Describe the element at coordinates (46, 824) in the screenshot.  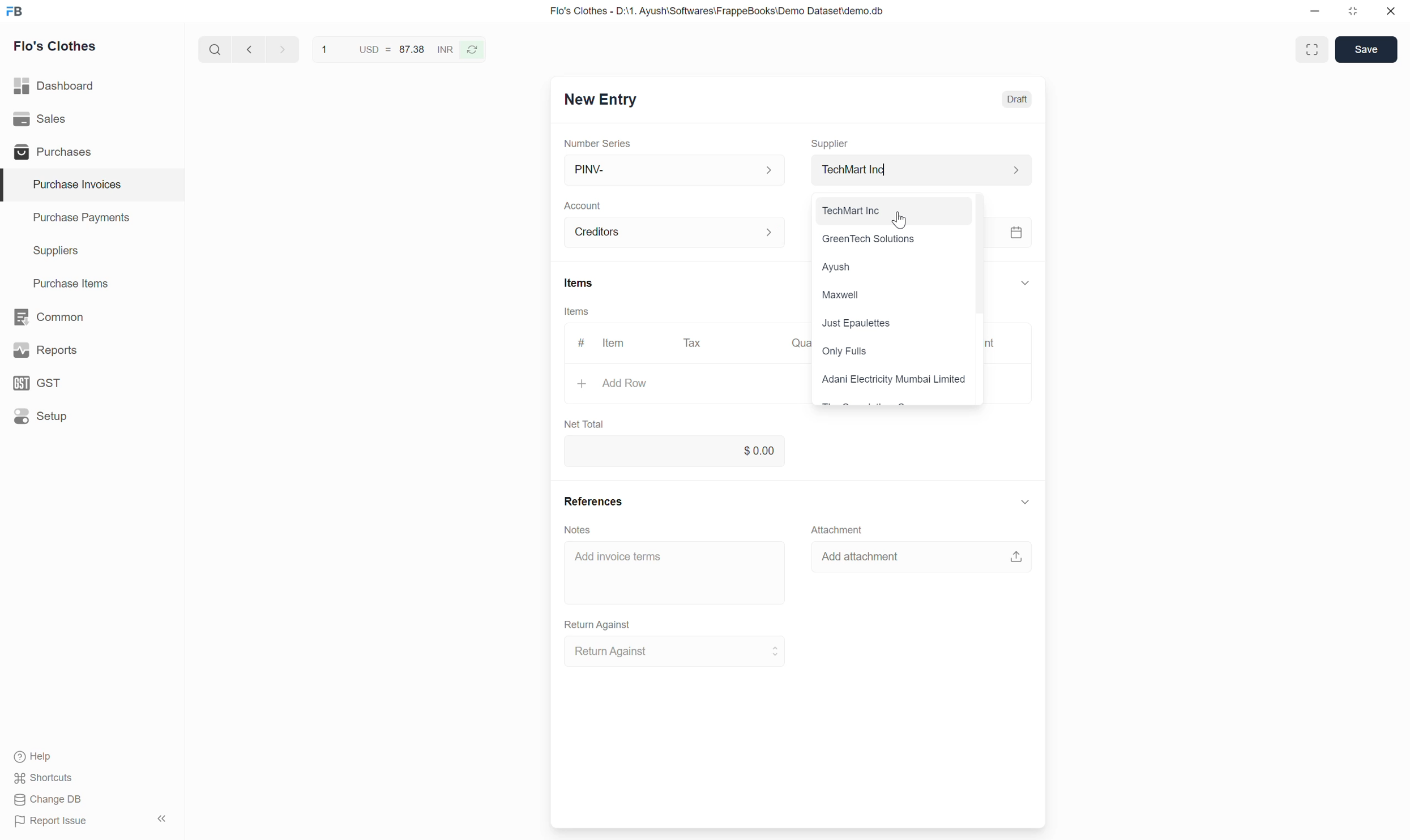
I see `Report Issue` at that location.